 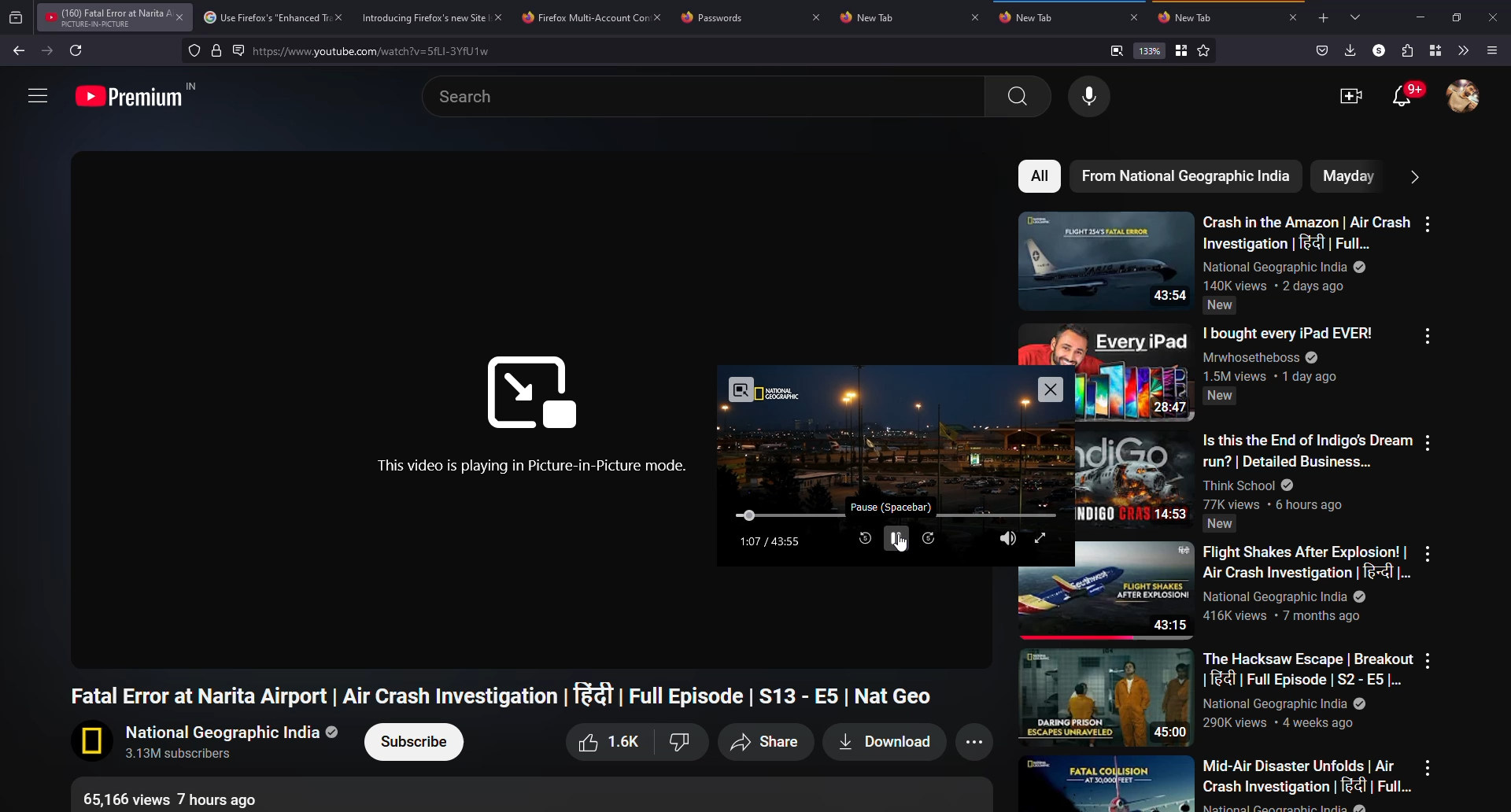 I want to click on video text description, so click(x=1308, y=471).